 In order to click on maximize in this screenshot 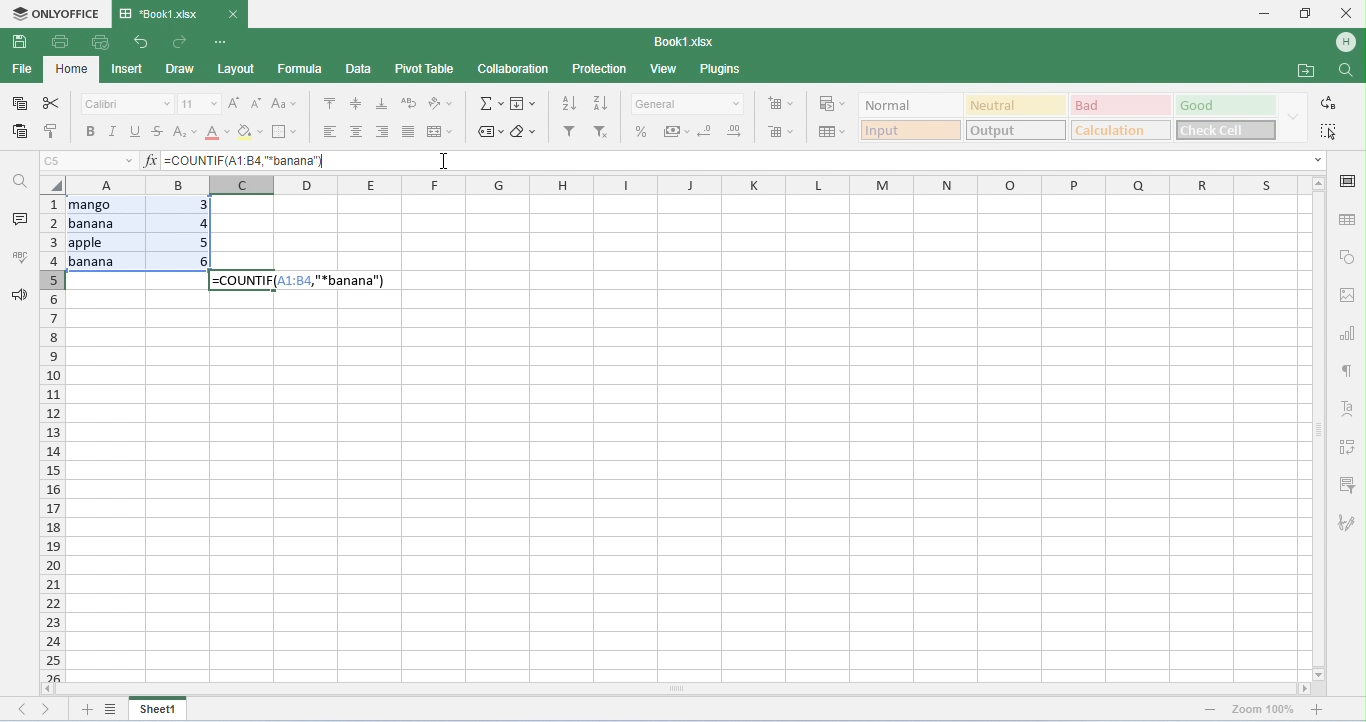, I will do `click(1303, 13)`.